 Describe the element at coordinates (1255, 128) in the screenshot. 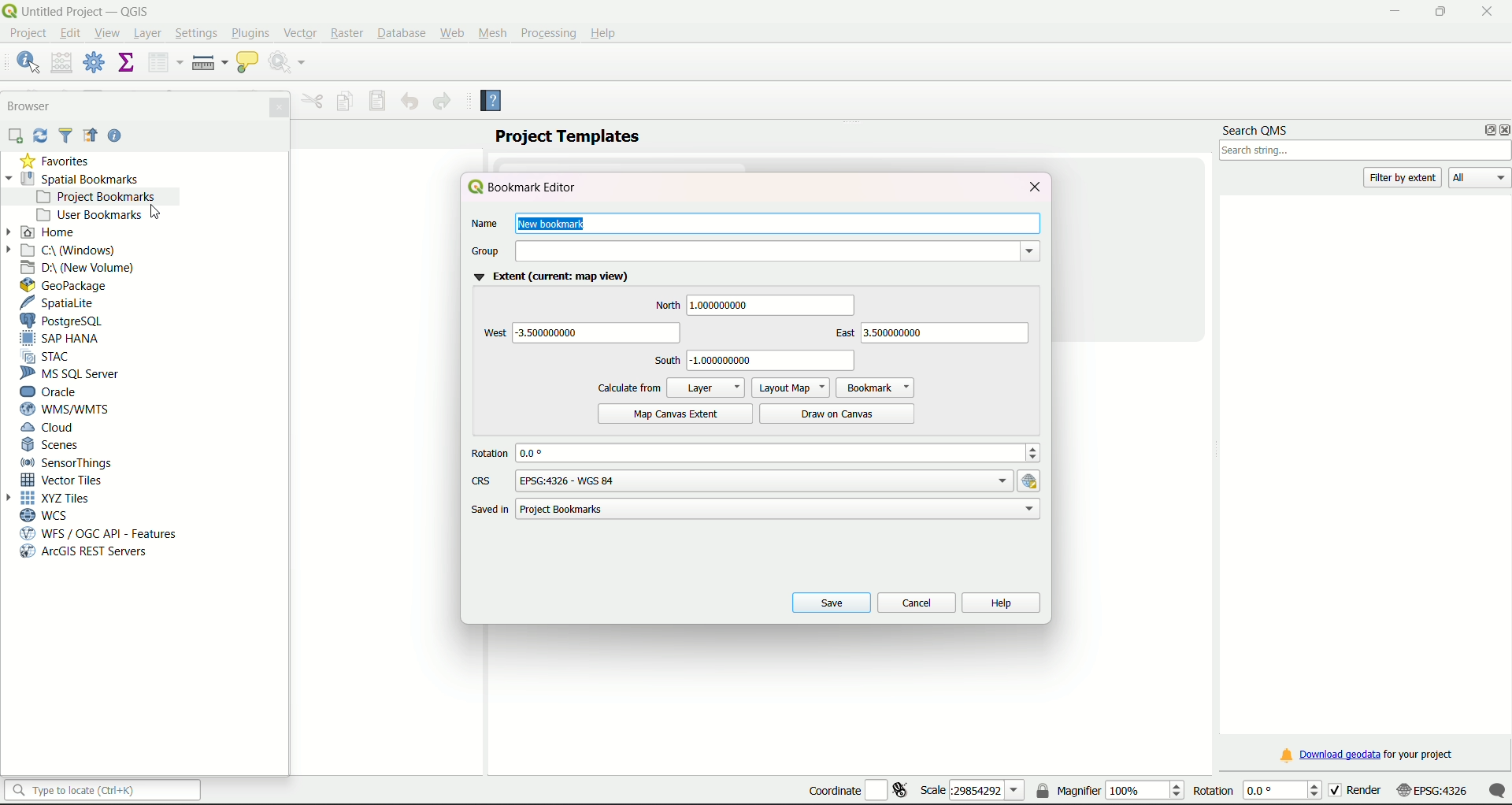

I see `search QMS` at that location.